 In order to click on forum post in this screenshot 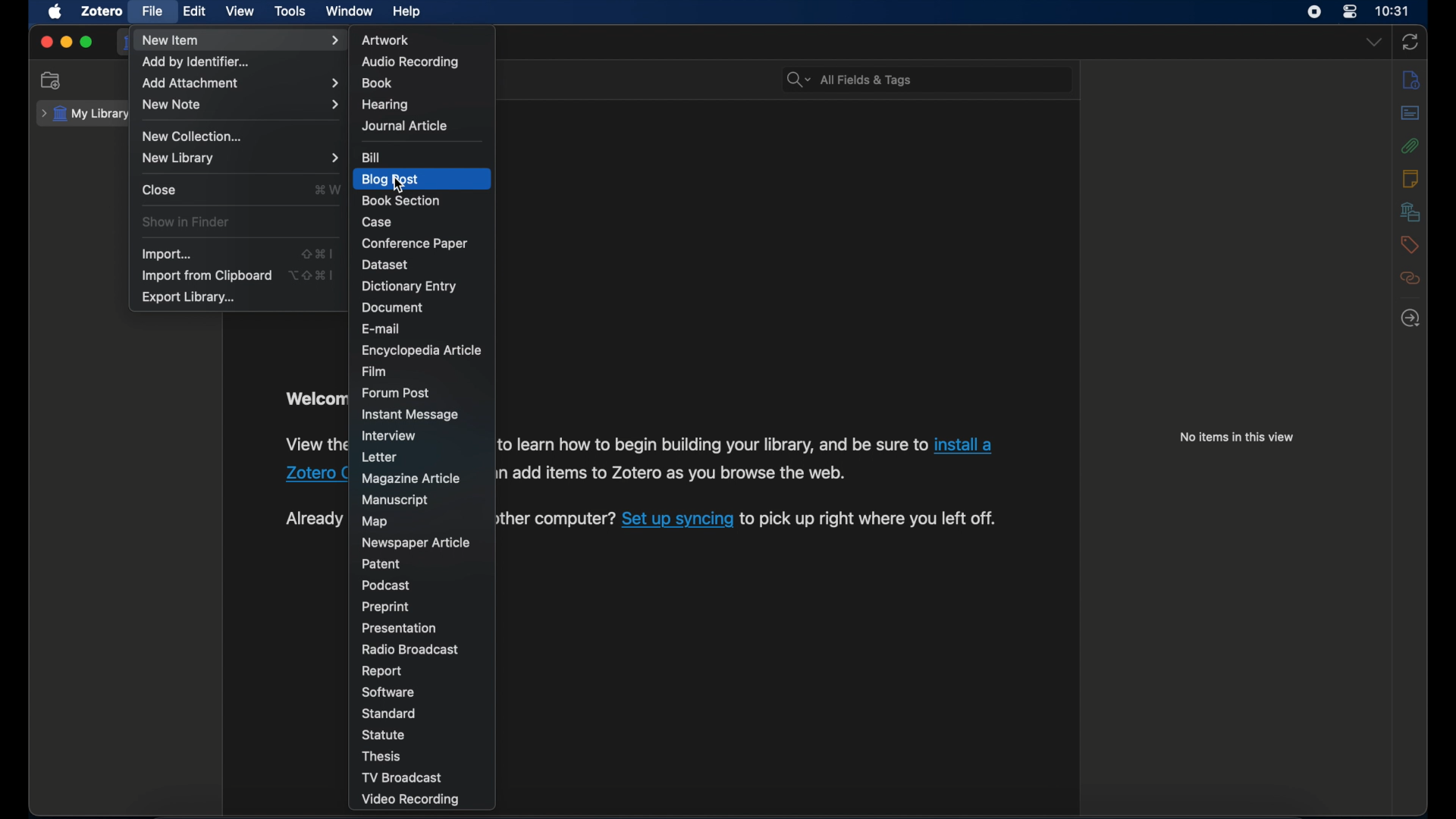, I will do `click(395, 392)`.